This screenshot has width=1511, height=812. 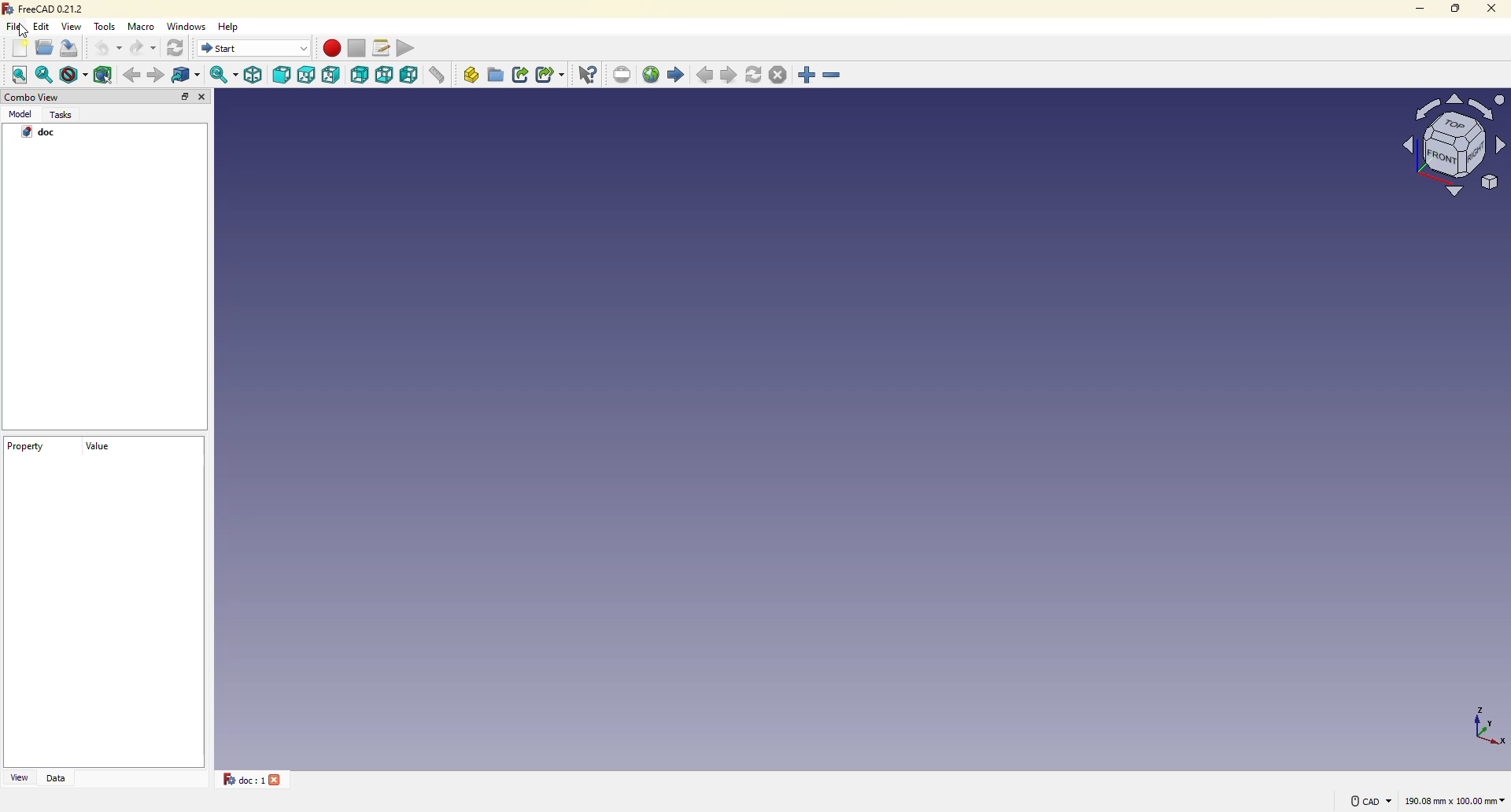 What do you see at coordinates (279, 779) in the screenshot?
I see `close tab` at bounding box center [279, 779].